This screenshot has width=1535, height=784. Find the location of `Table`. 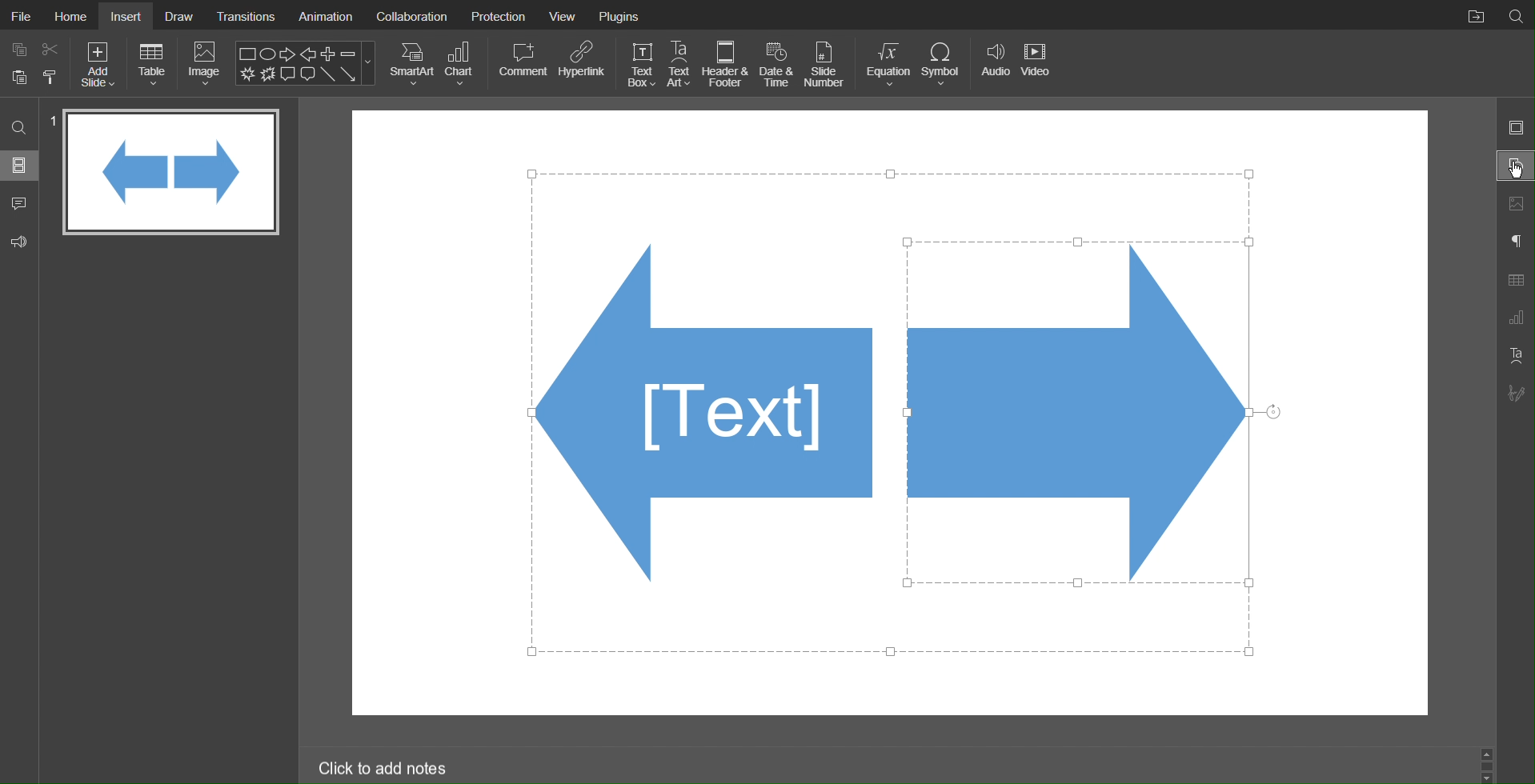

Table is located at coordinates (153, 64).